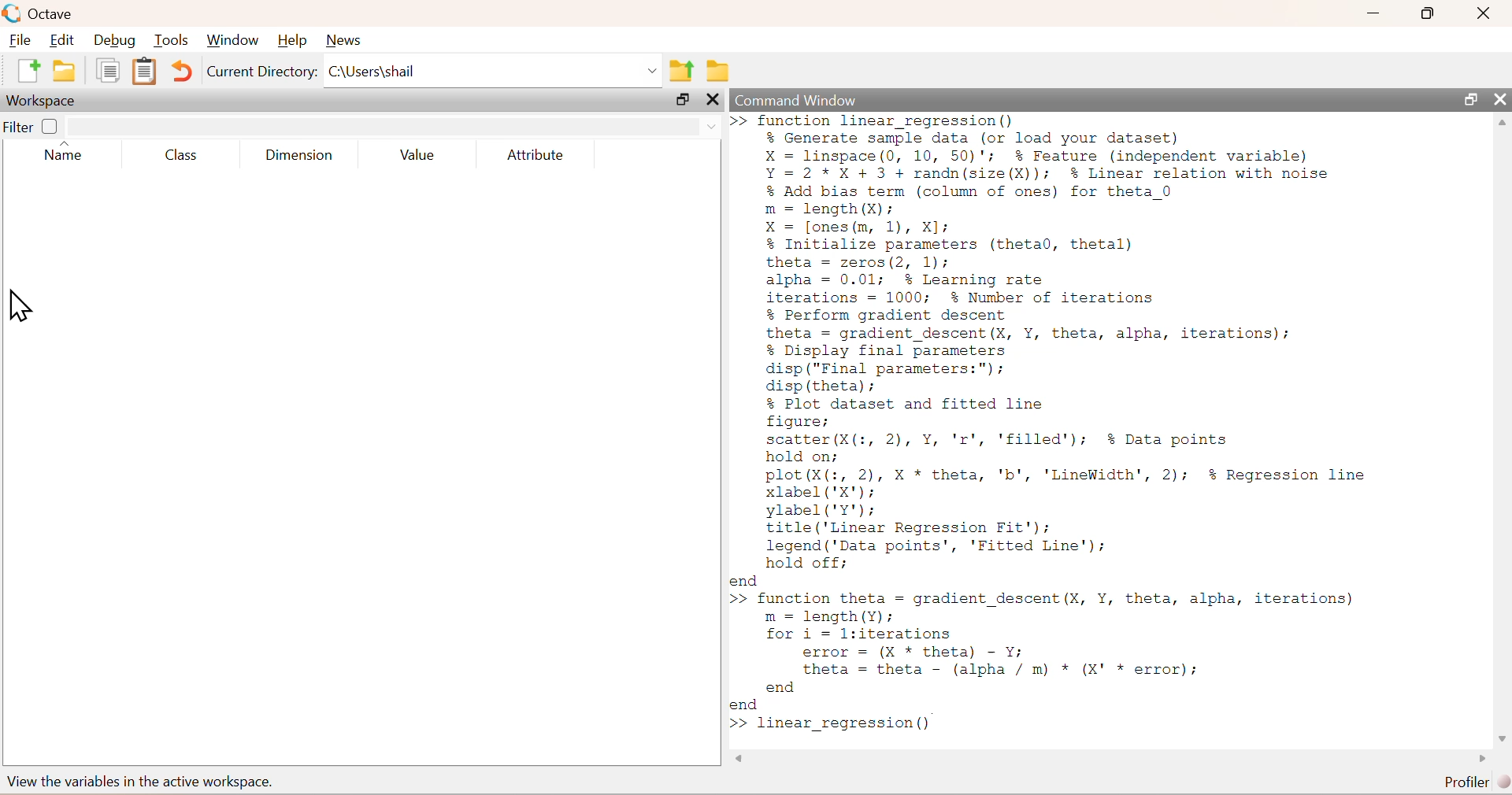 This screenshot has height=795, width=1512. I want to click on folder, so click(64, 70).